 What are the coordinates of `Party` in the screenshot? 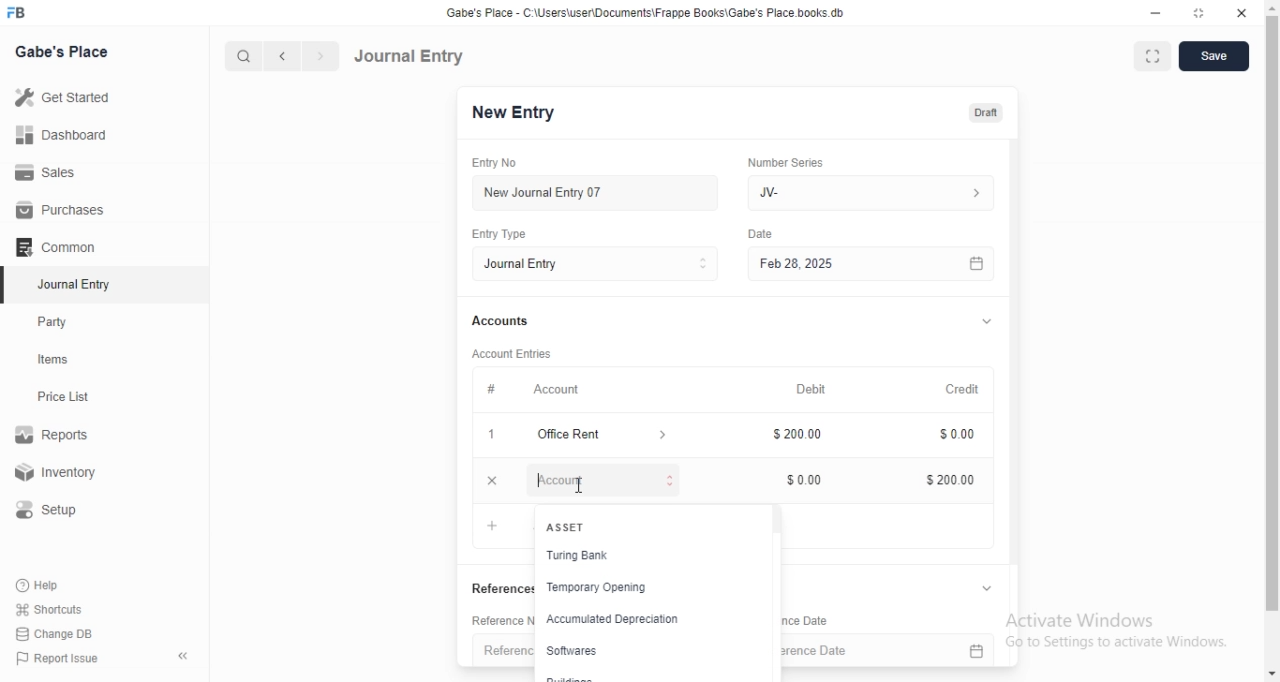 It's located at (57, 322).